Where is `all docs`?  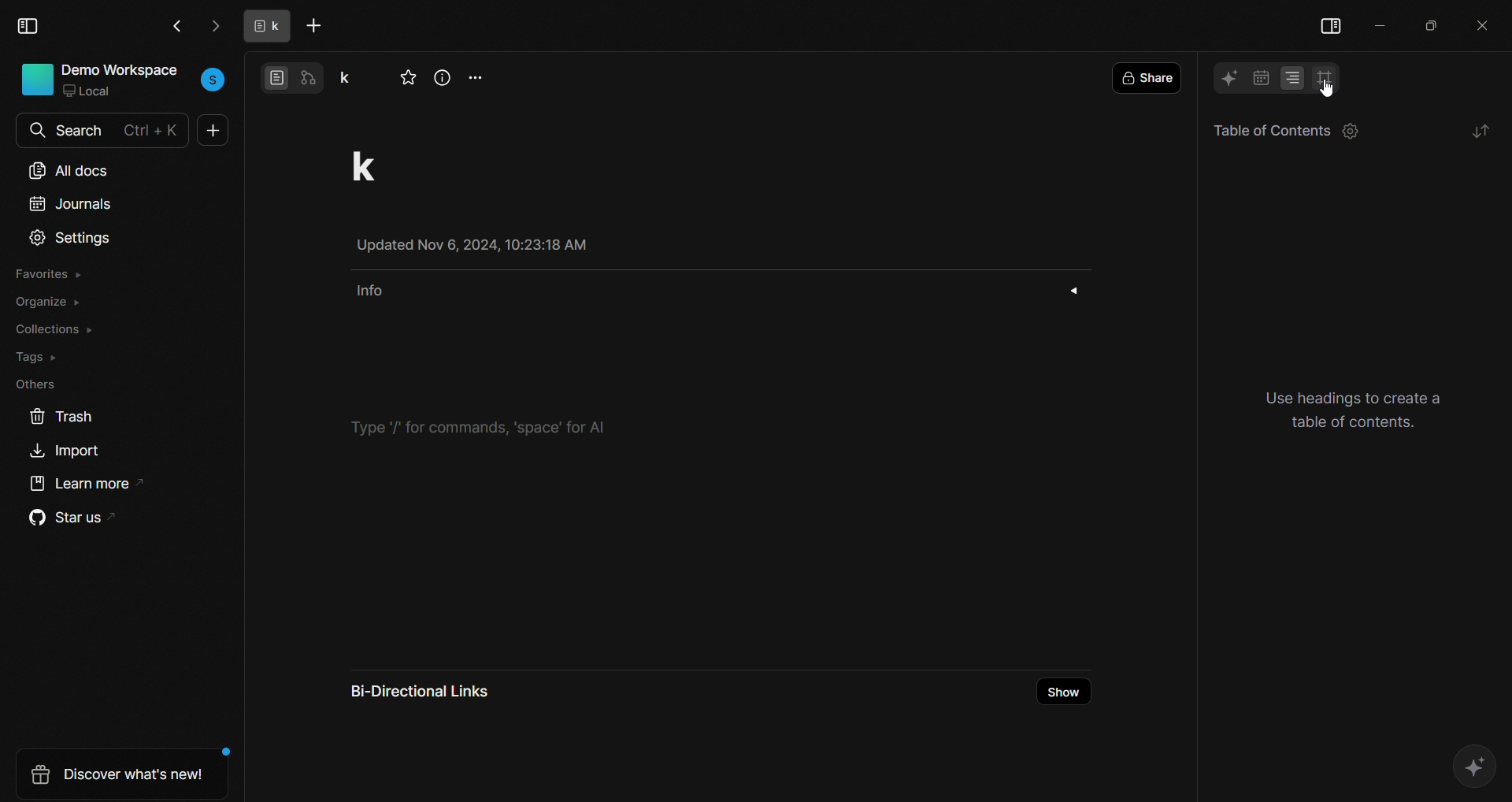
all docs is located at coordinates (69, 167).